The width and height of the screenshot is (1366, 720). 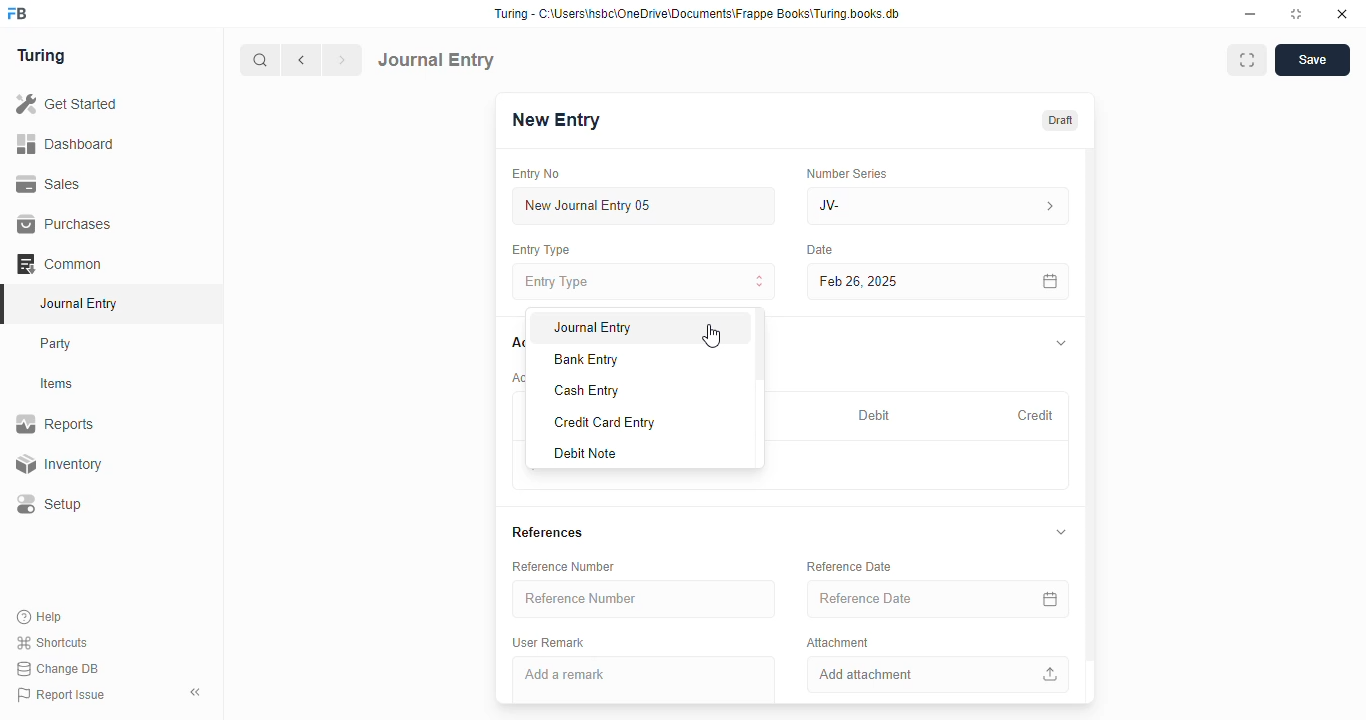 I want to click on toggle maximize, so click(x=1296, y=14).